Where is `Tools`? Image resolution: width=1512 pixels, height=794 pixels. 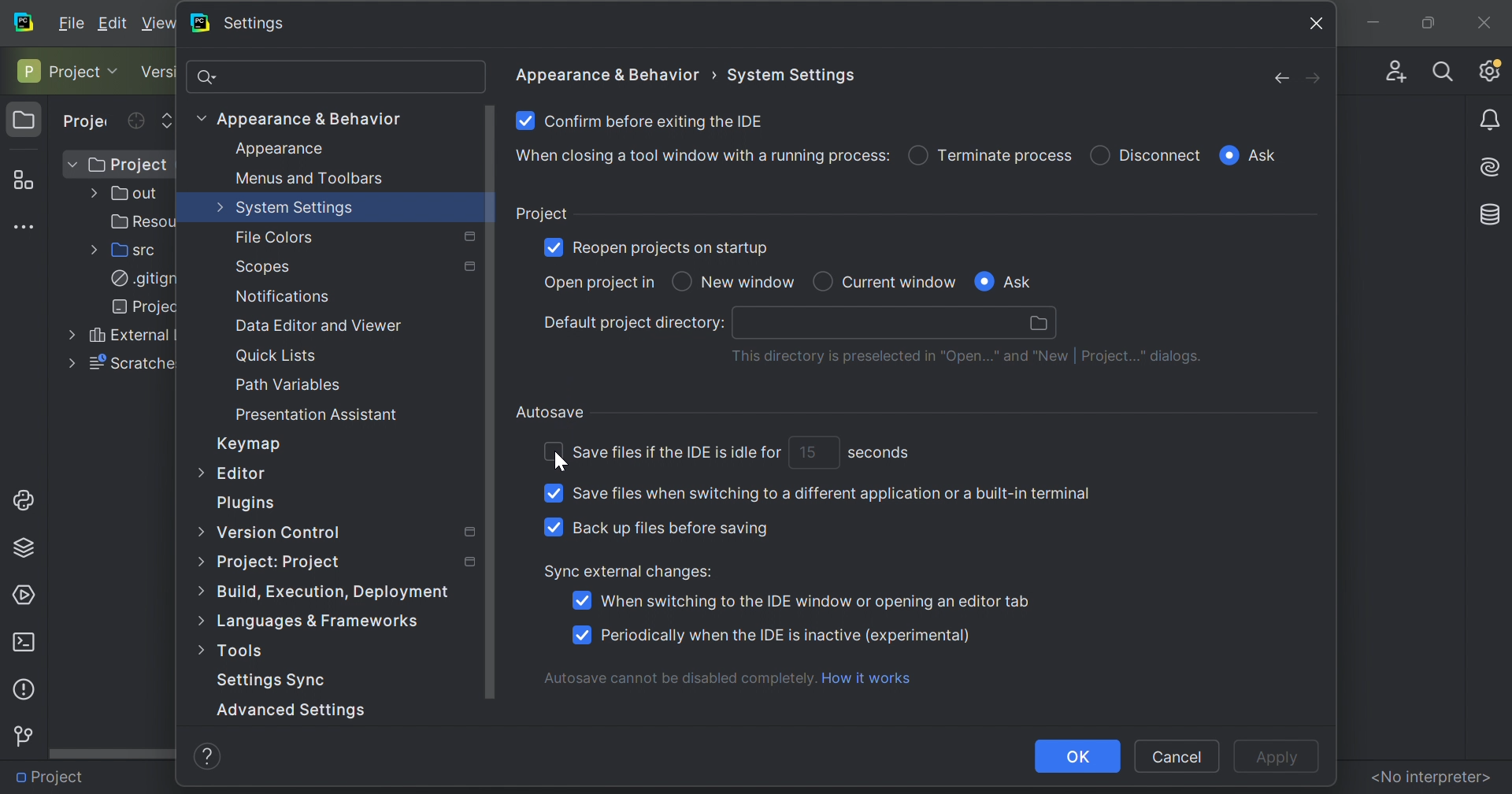 Tools is located at coordinates (244, 652).